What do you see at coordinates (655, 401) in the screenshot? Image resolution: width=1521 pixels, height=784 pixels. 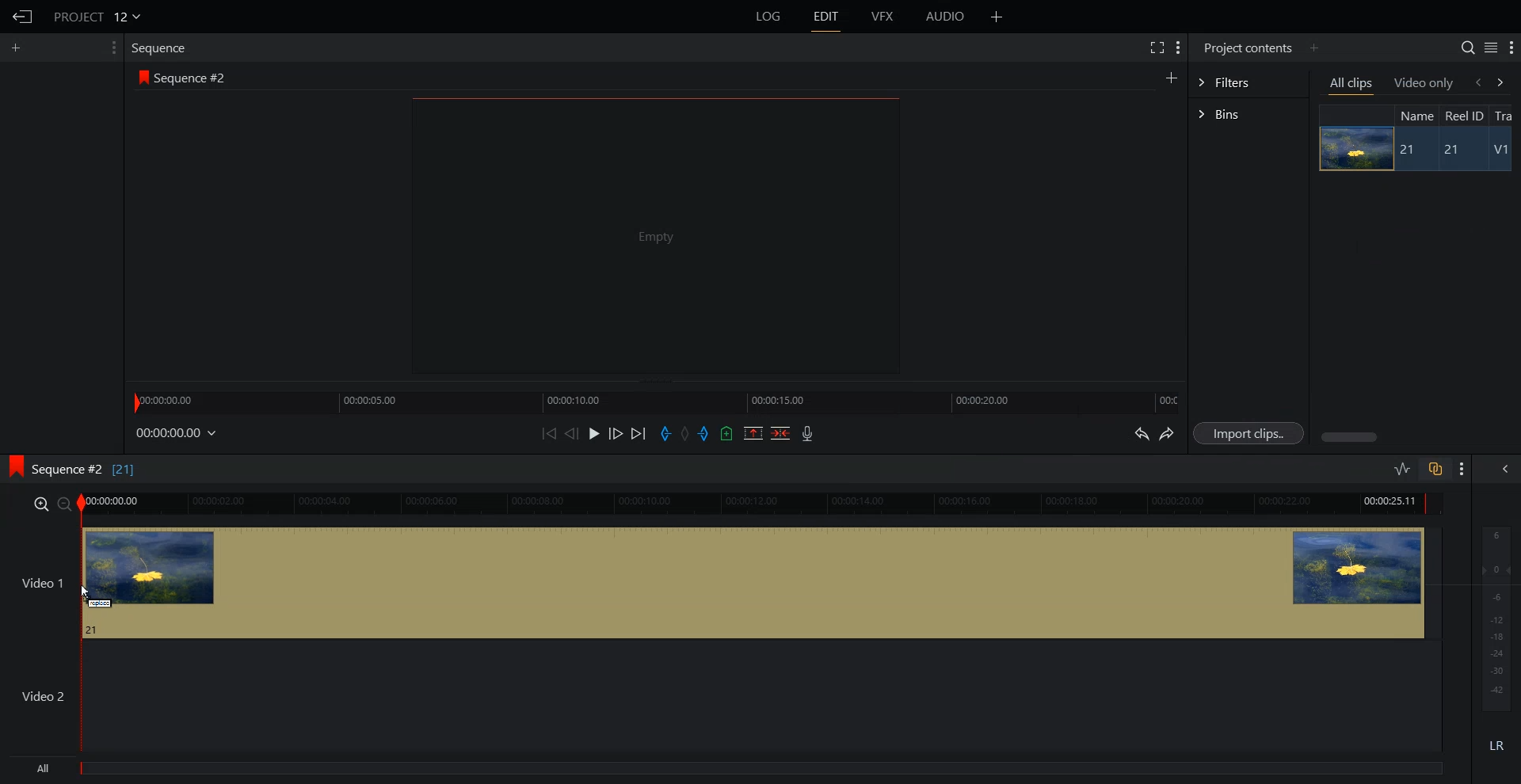 I see `Timeline` at bounding box center [655, 401].